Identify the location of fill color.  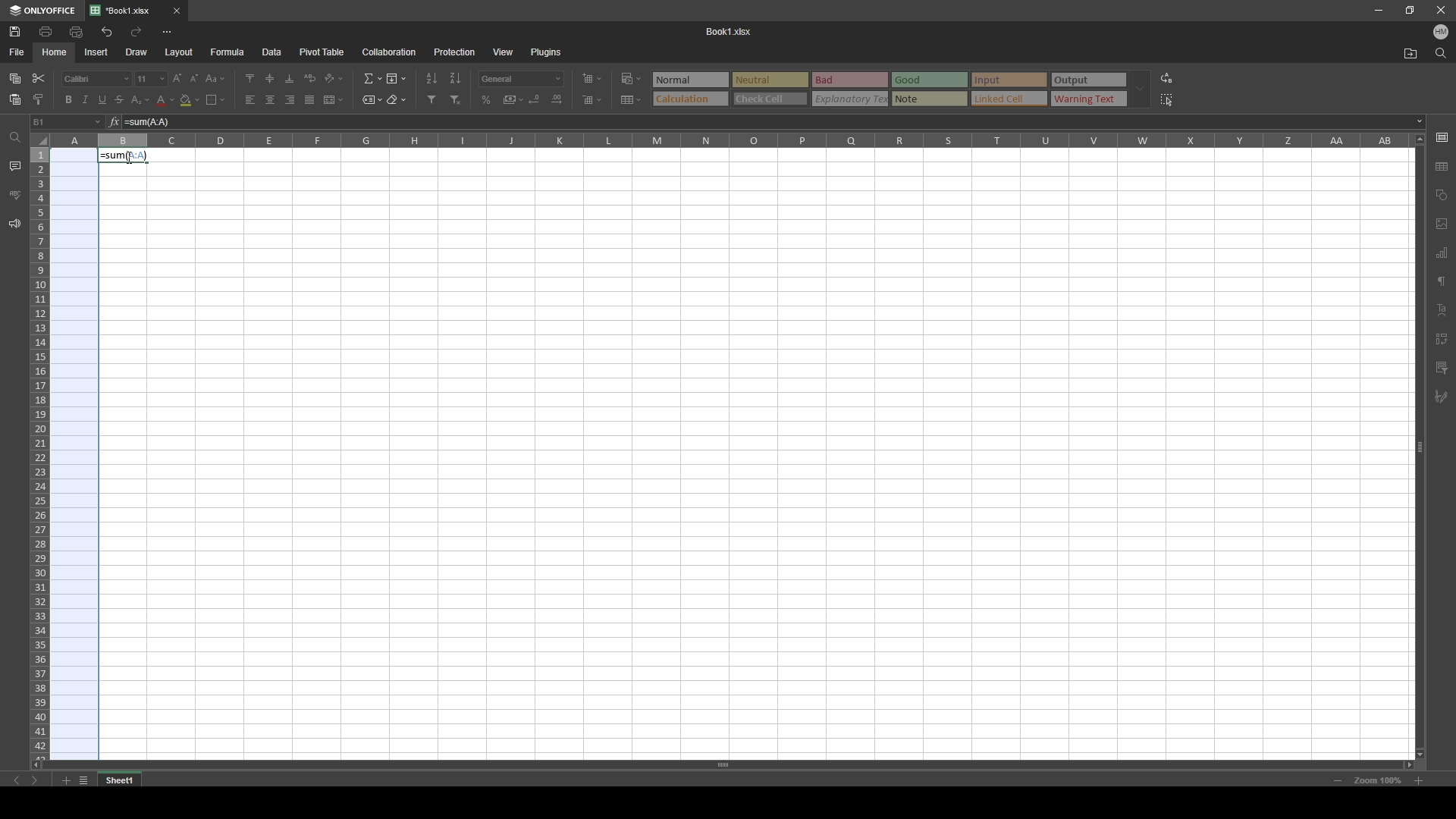
(190, 100).